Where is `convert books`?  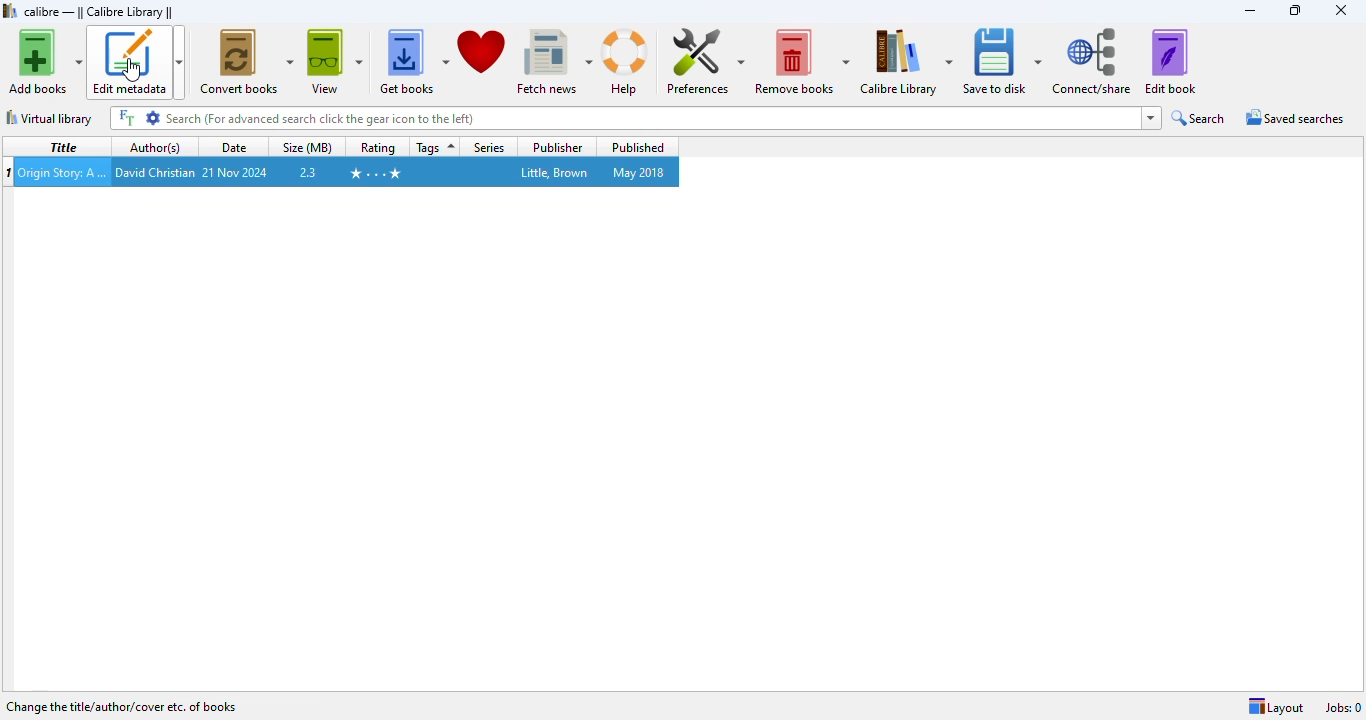
convert books is located at coordinates (245, 61).